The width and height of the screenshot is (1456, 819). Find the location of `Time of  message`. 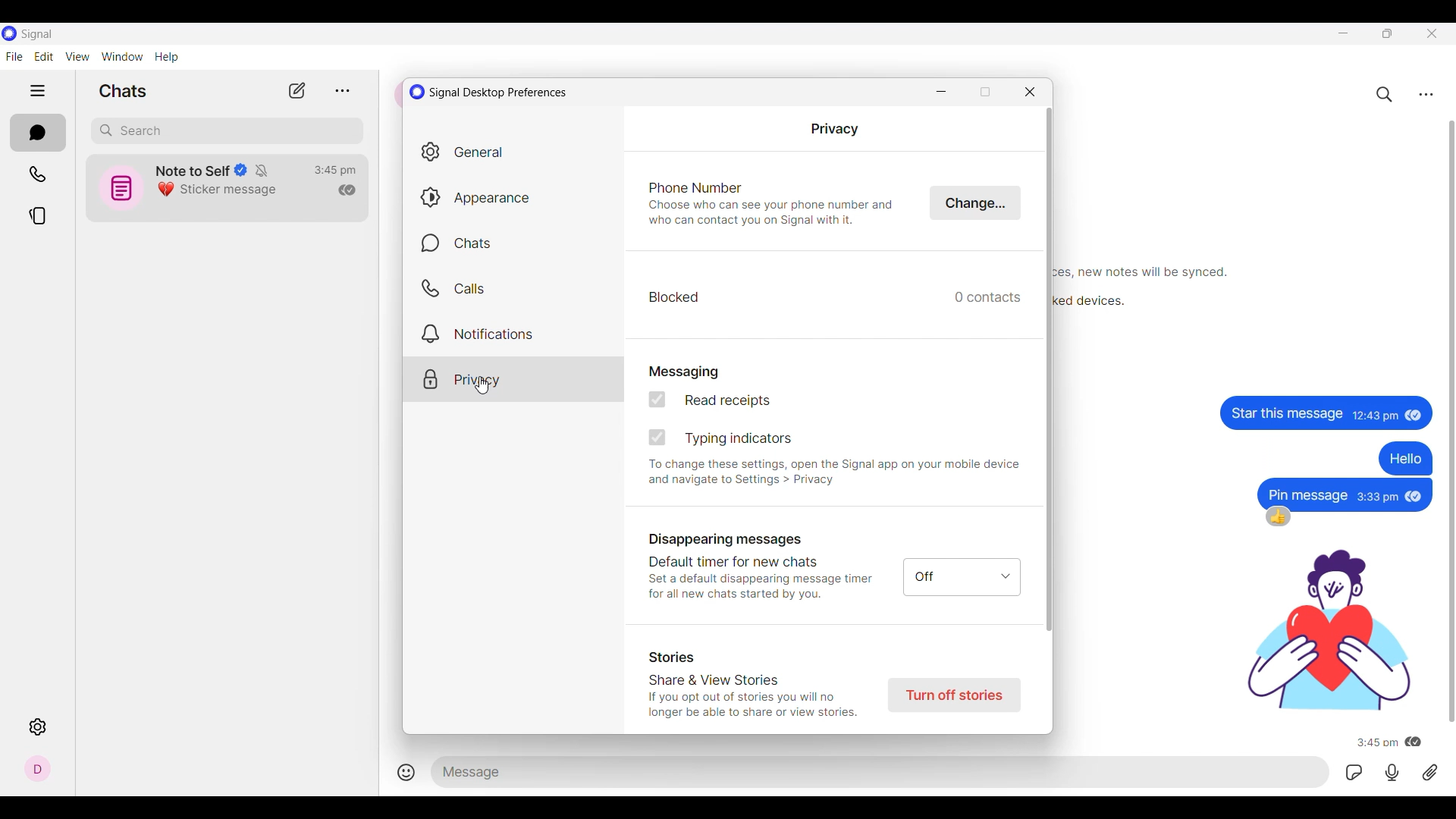

Time of  message is located at coordinates (1376, 742).